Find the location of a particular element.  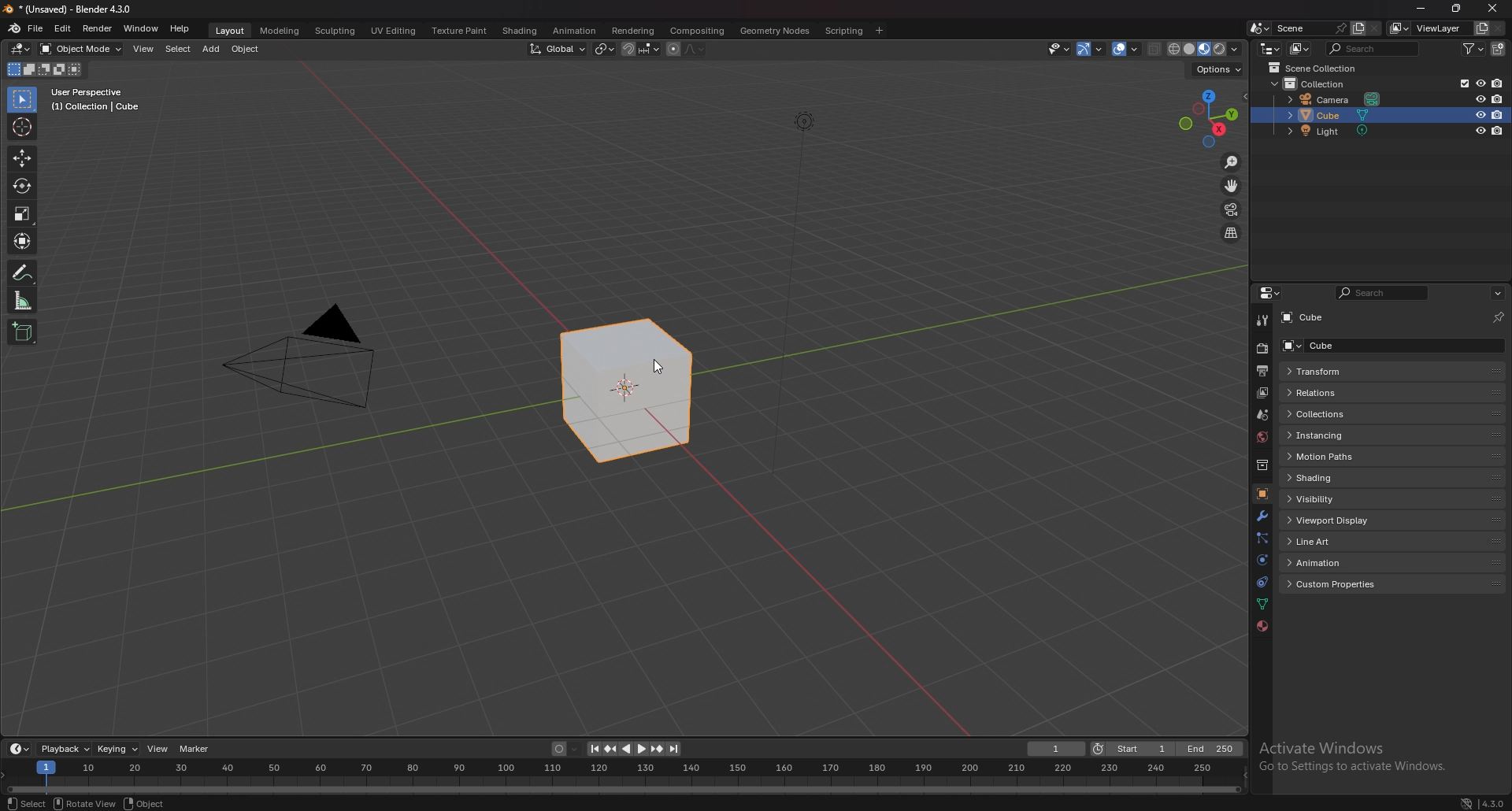

options is located at coordinates (1498, 293).